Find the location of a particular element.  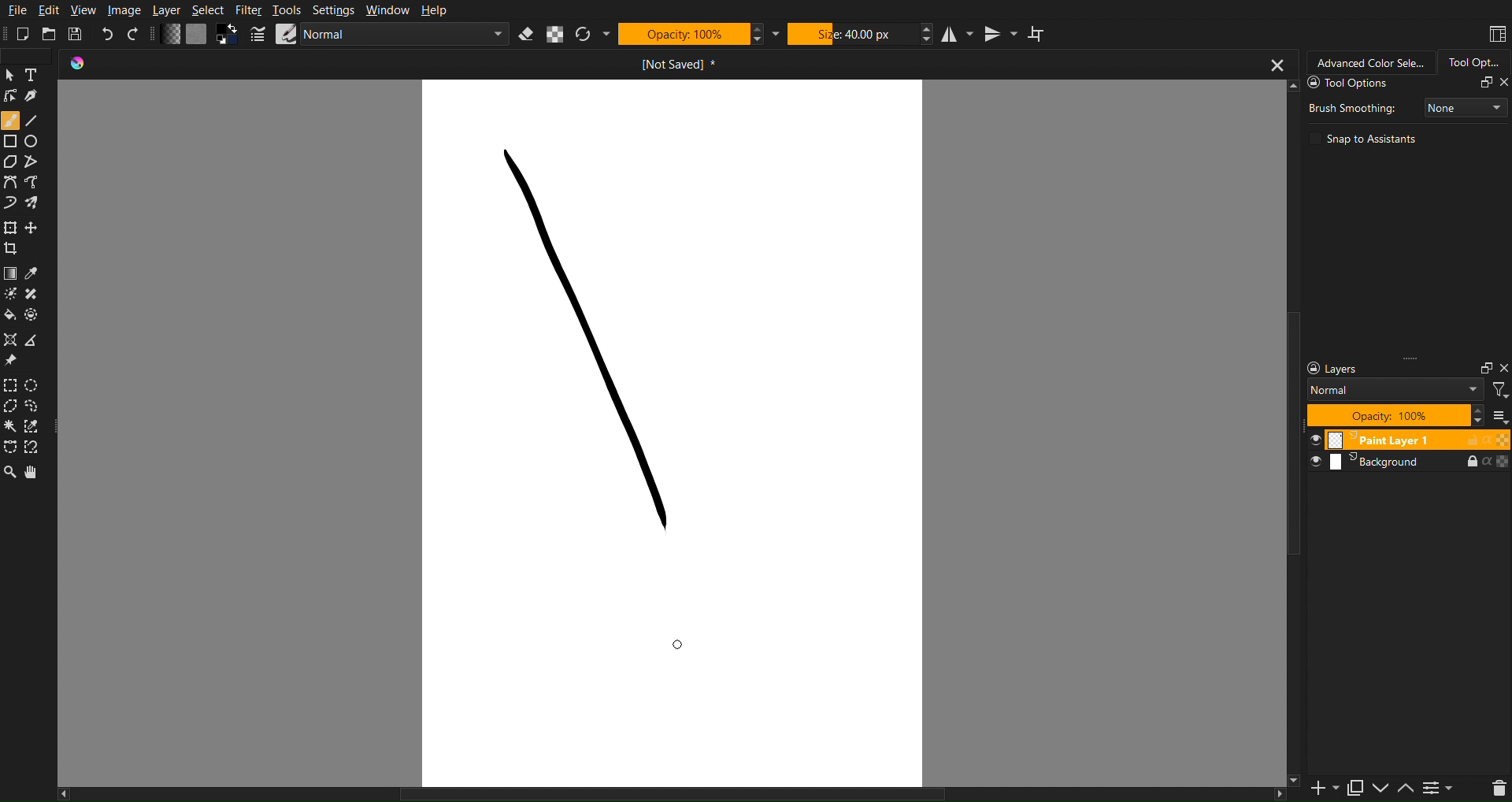

Alpha is located at coordinates (556, 34).